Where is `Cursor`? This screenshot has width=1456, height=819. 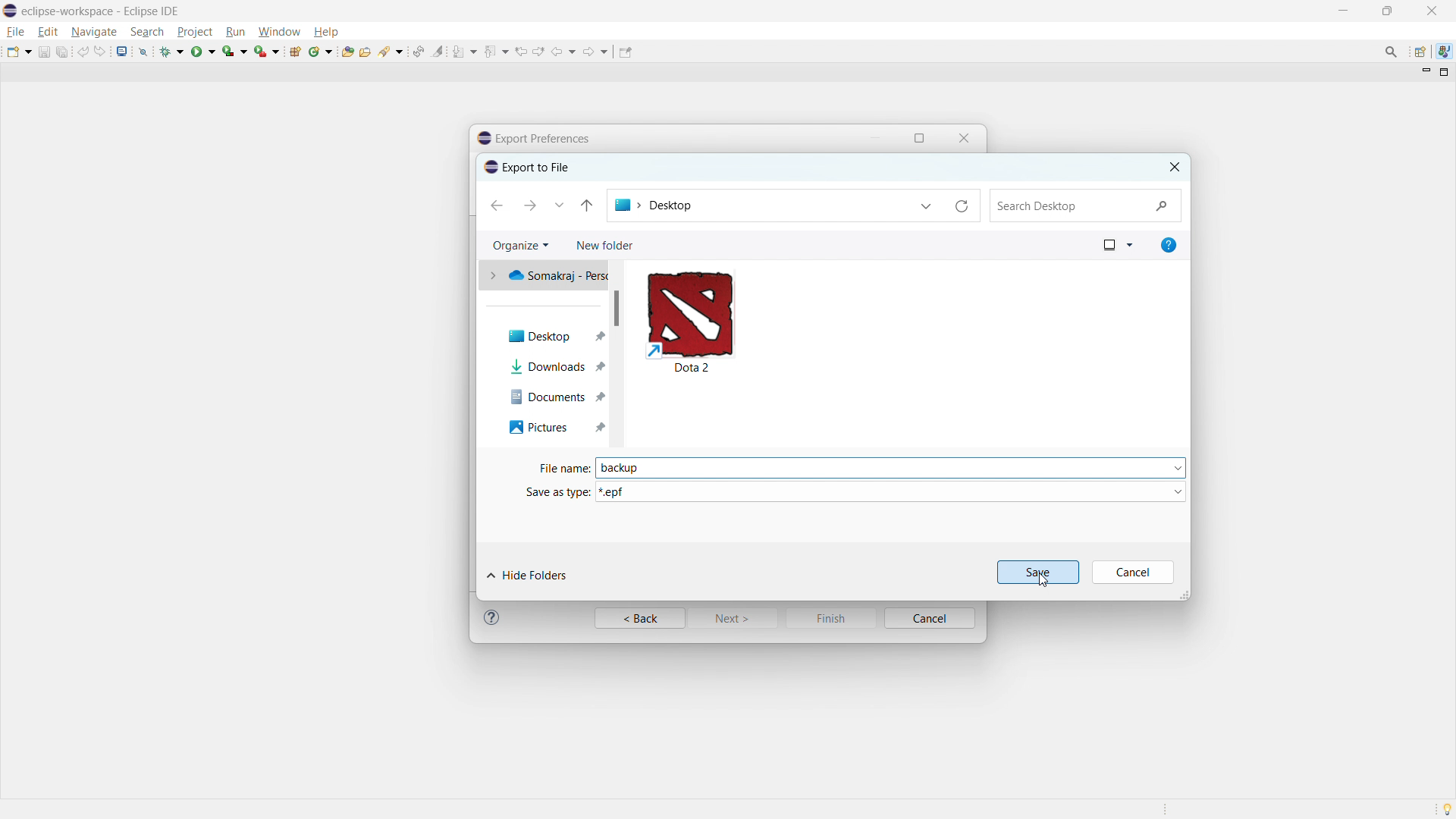 Cursor is located at coordinates (1044, 581).